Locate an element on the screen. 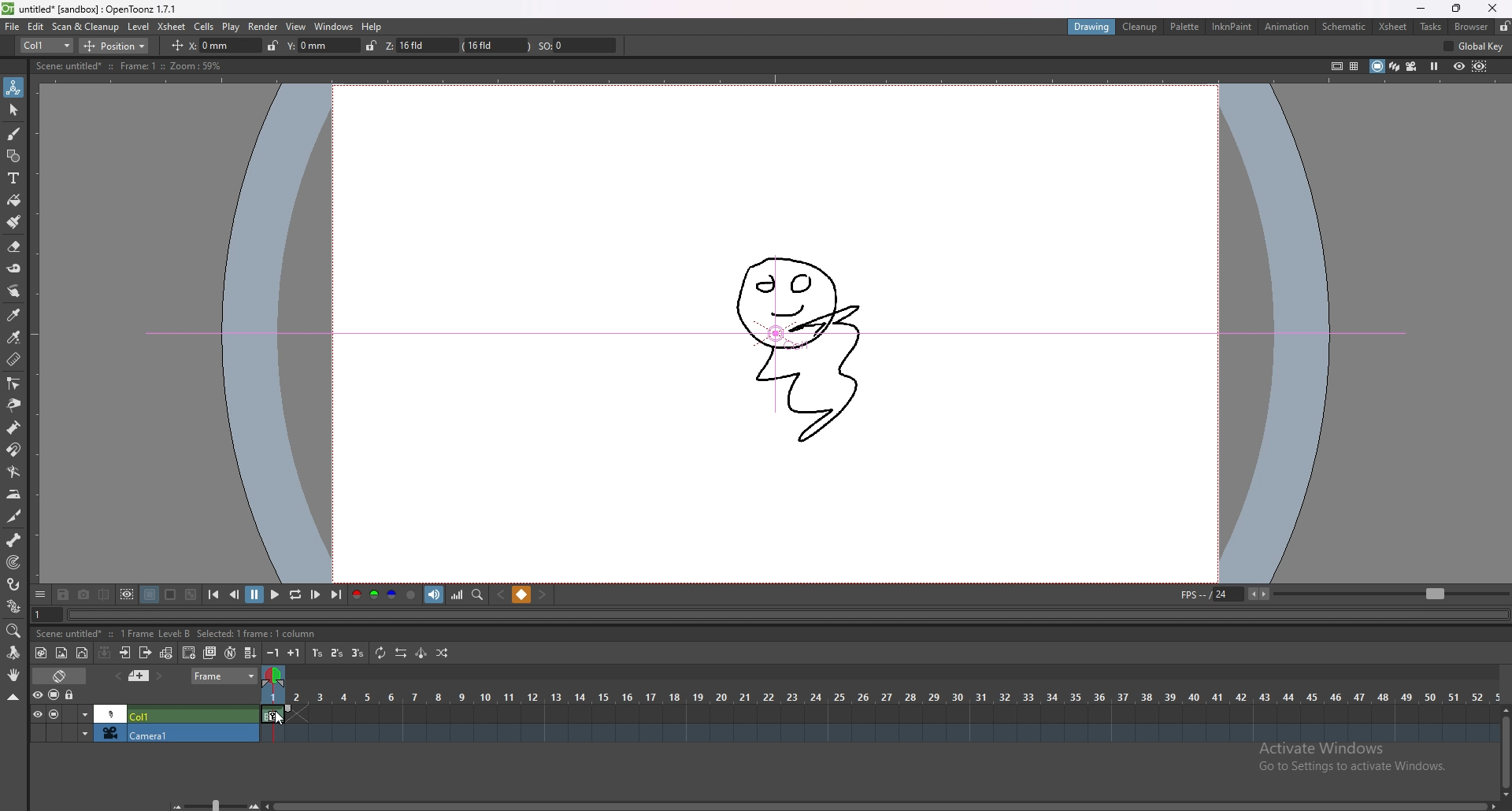 The height and width of the screenshot is (811, 1512). camera stand visibility is located at coordinates (55, 695).